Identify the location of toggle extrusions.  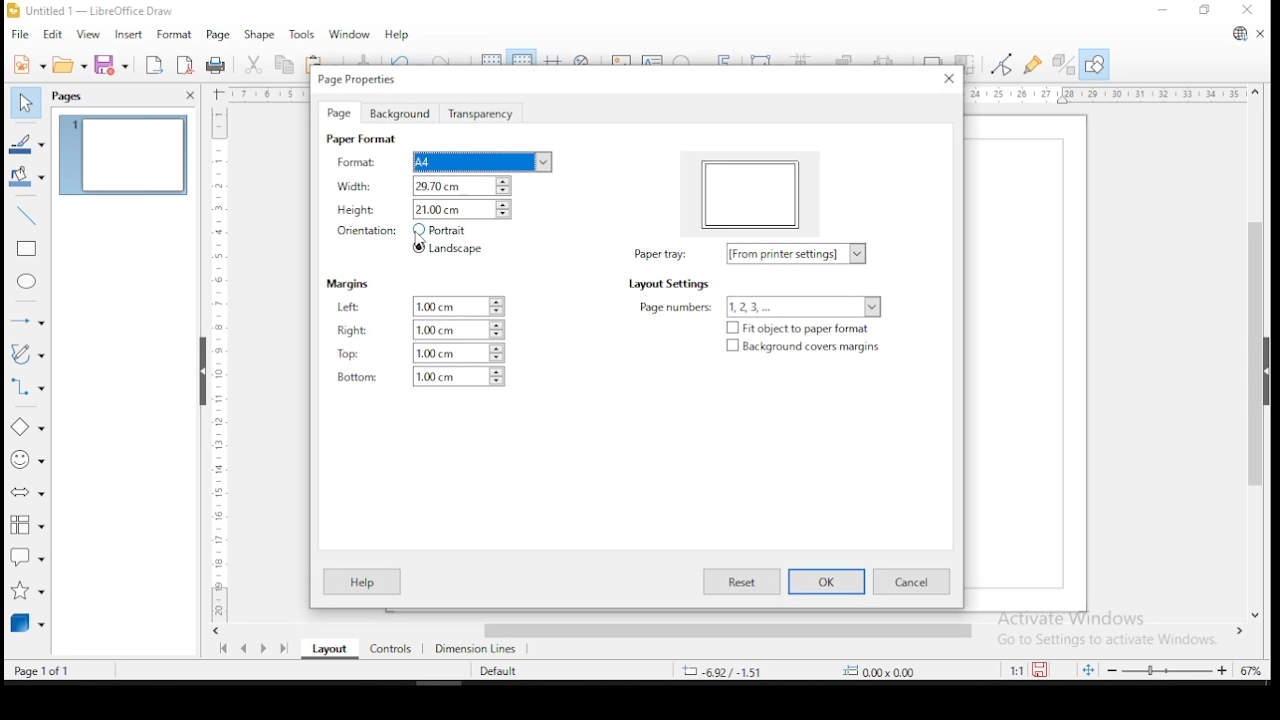
(1062, 65).